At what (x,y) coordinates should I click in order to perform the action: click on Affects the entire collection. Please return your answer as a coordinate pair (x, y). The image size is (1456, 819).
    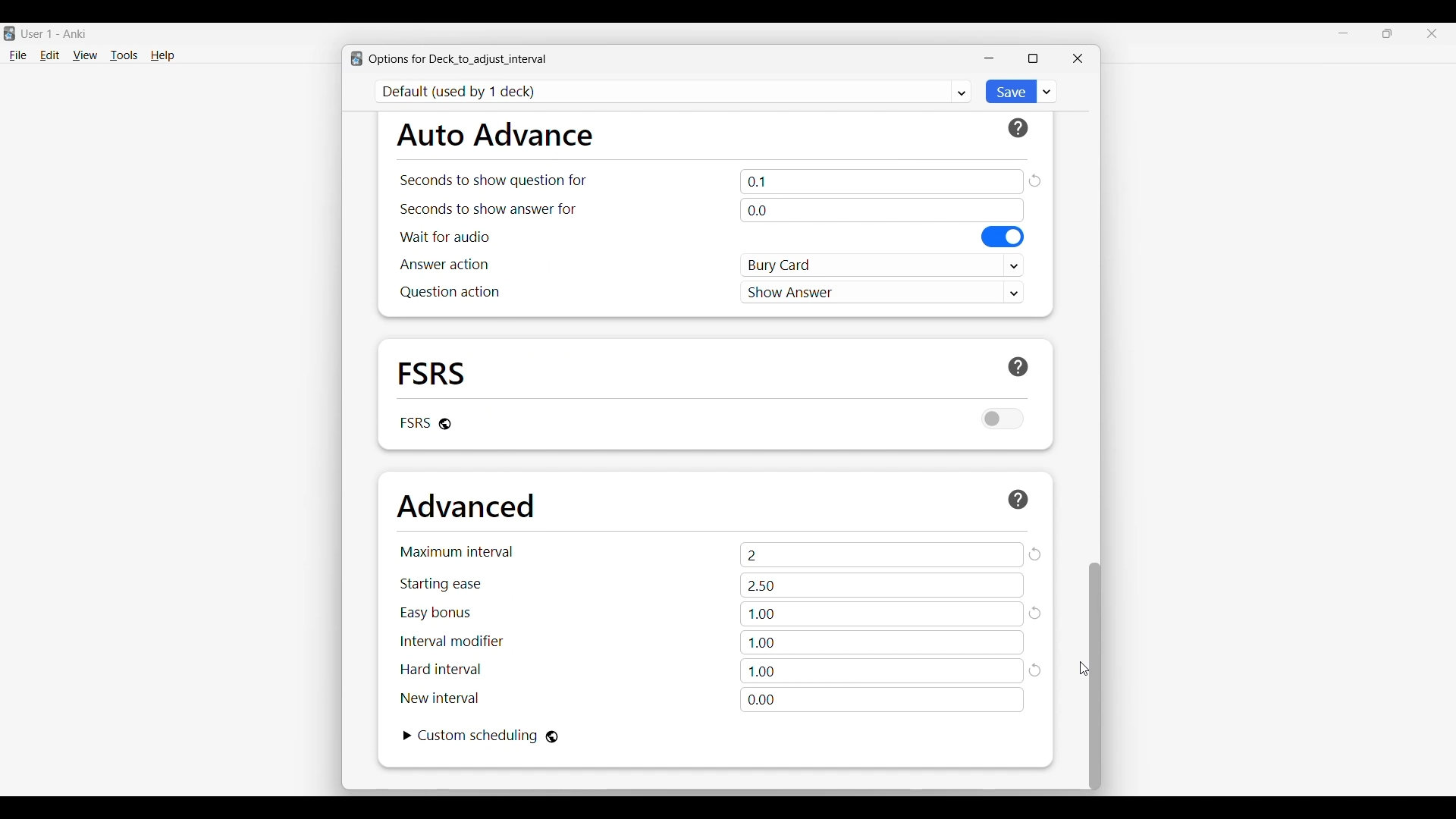
    Looking at the image, I should click on (445, 424).